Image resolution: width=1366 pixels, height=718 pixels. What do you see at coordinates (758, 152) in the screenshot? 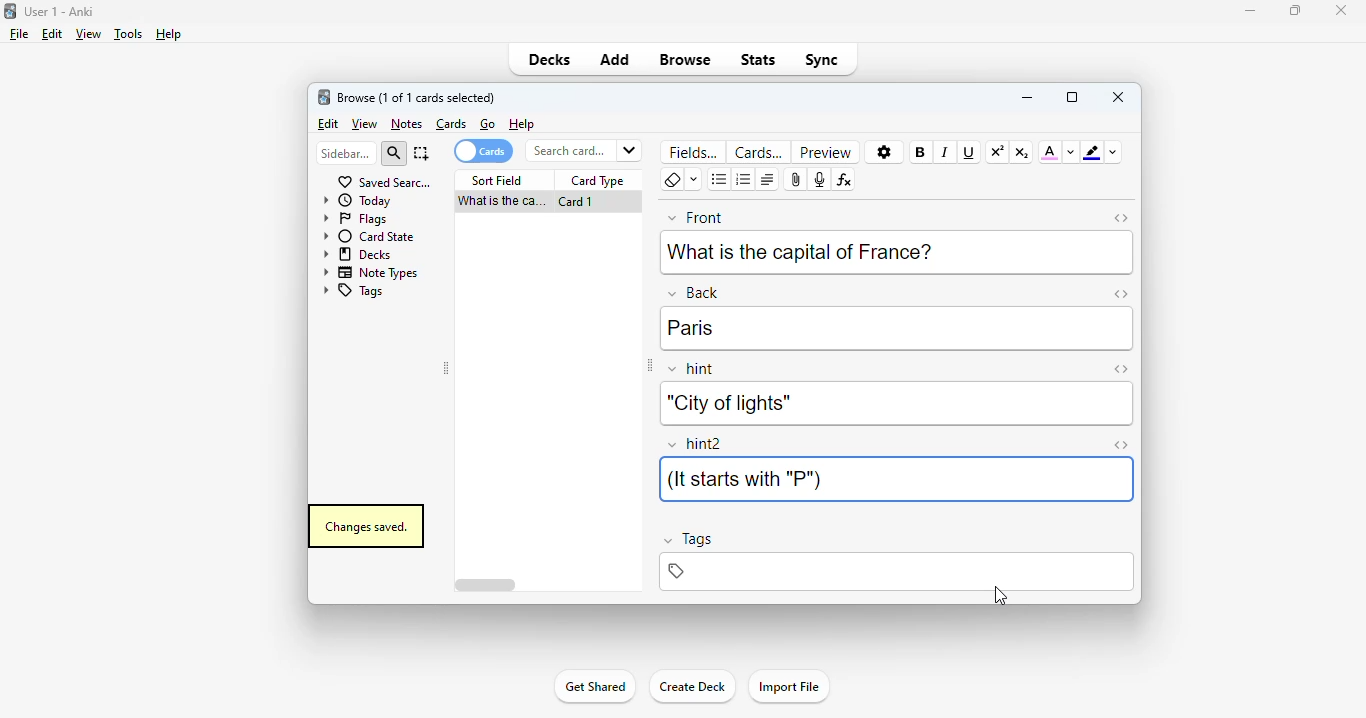
I see `cards` at bounding box center [758, 152].